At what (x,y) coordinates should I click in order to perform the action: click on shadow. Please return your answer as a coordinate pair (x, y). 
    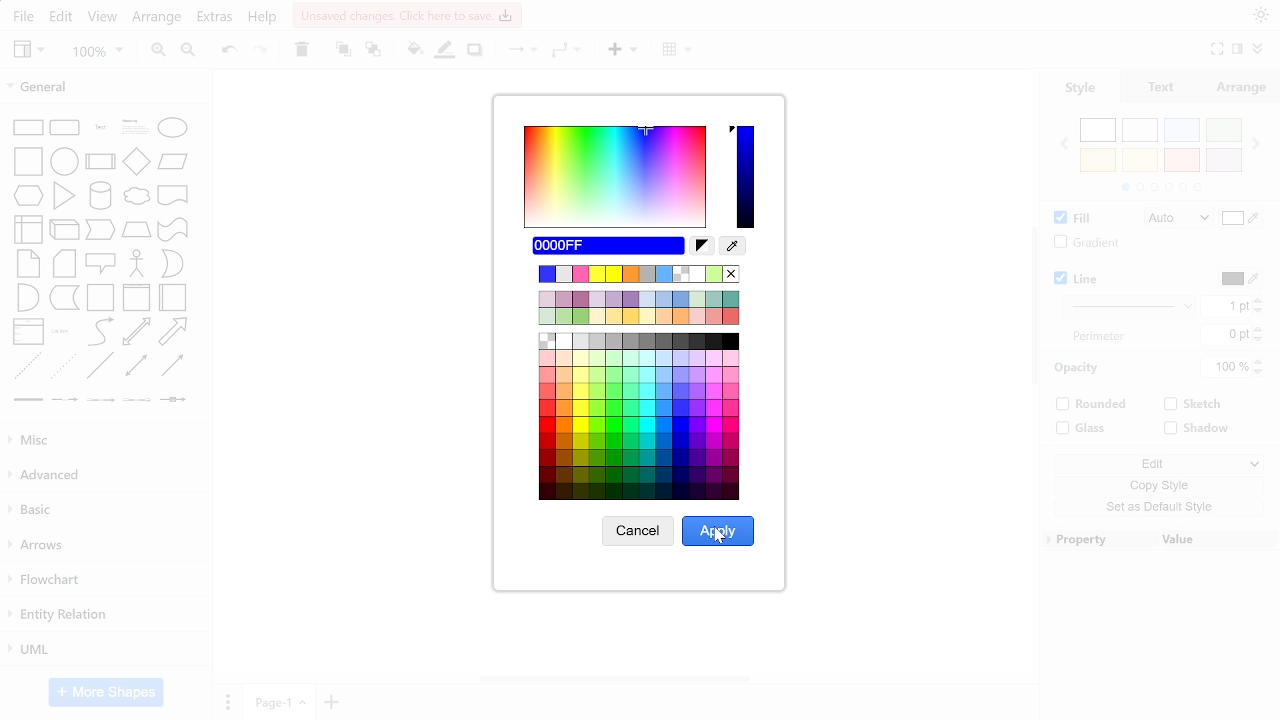
    Looking at the image, I should click on (1200, 429).